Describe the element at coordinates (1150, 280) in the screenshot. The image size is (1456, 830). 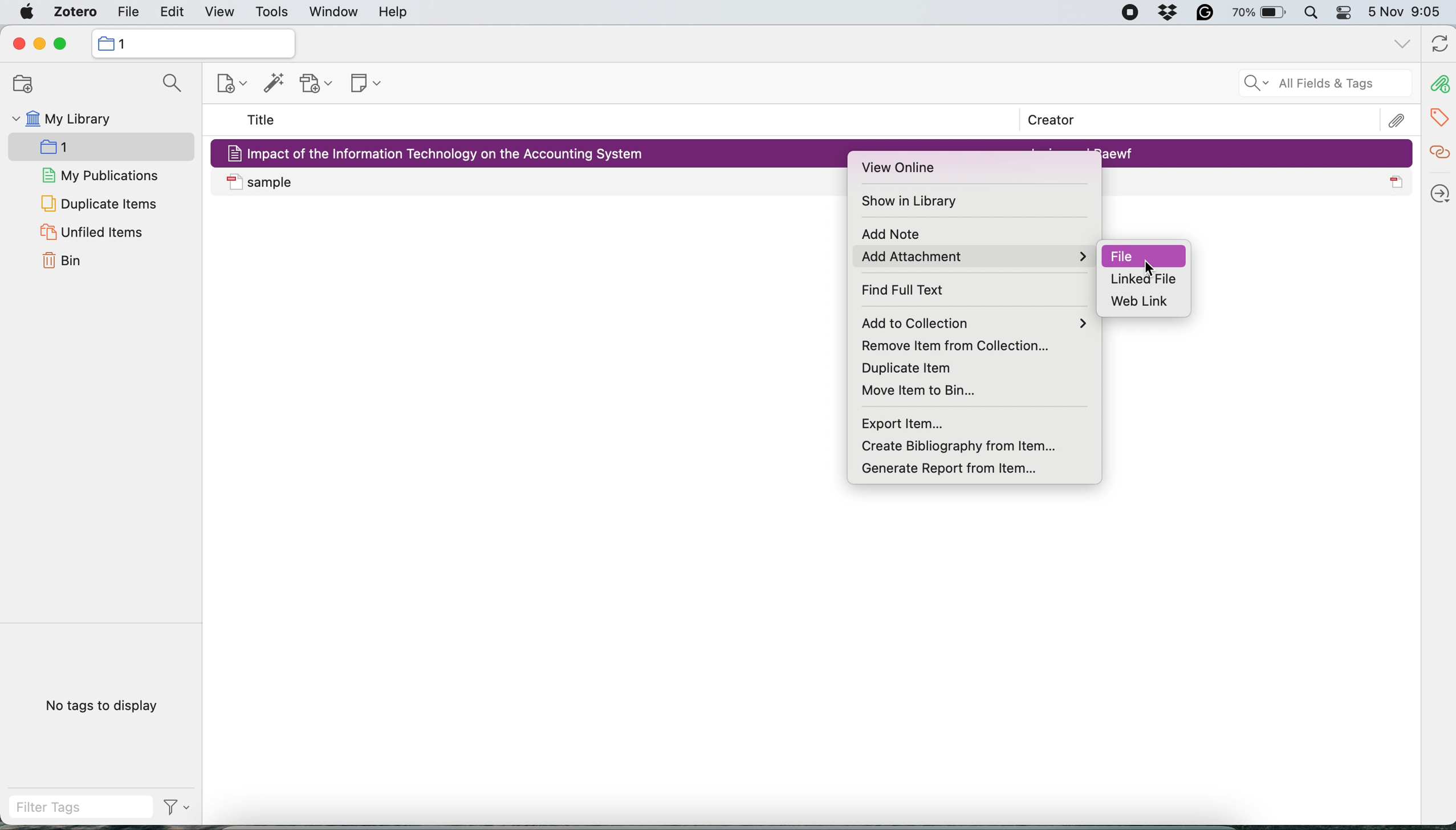
I see `linked file` at that location.